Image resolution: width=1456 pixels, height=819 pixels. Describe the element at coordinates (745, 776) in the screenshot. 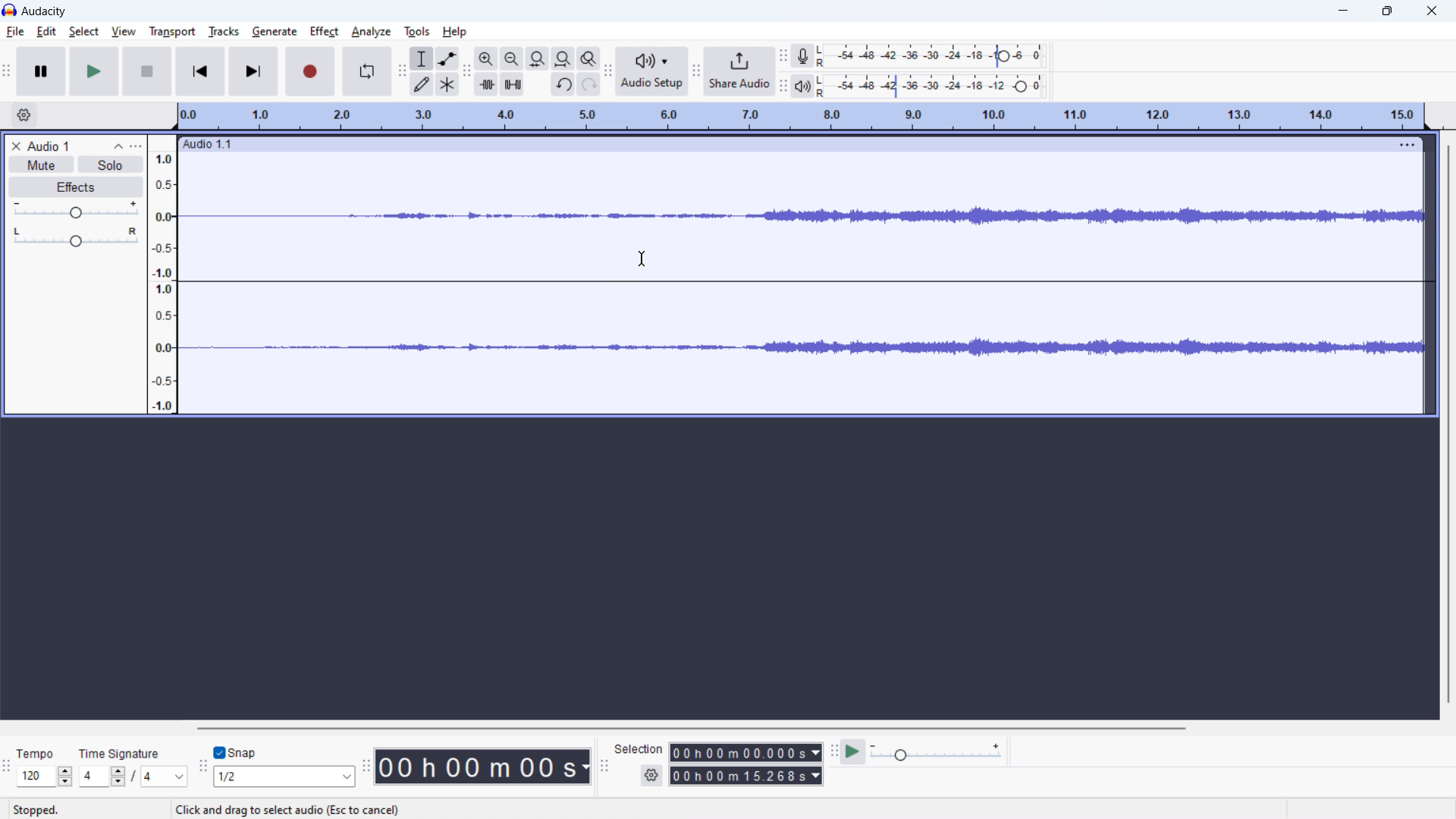

I see `00h00m15.268s(end time)` at that location.